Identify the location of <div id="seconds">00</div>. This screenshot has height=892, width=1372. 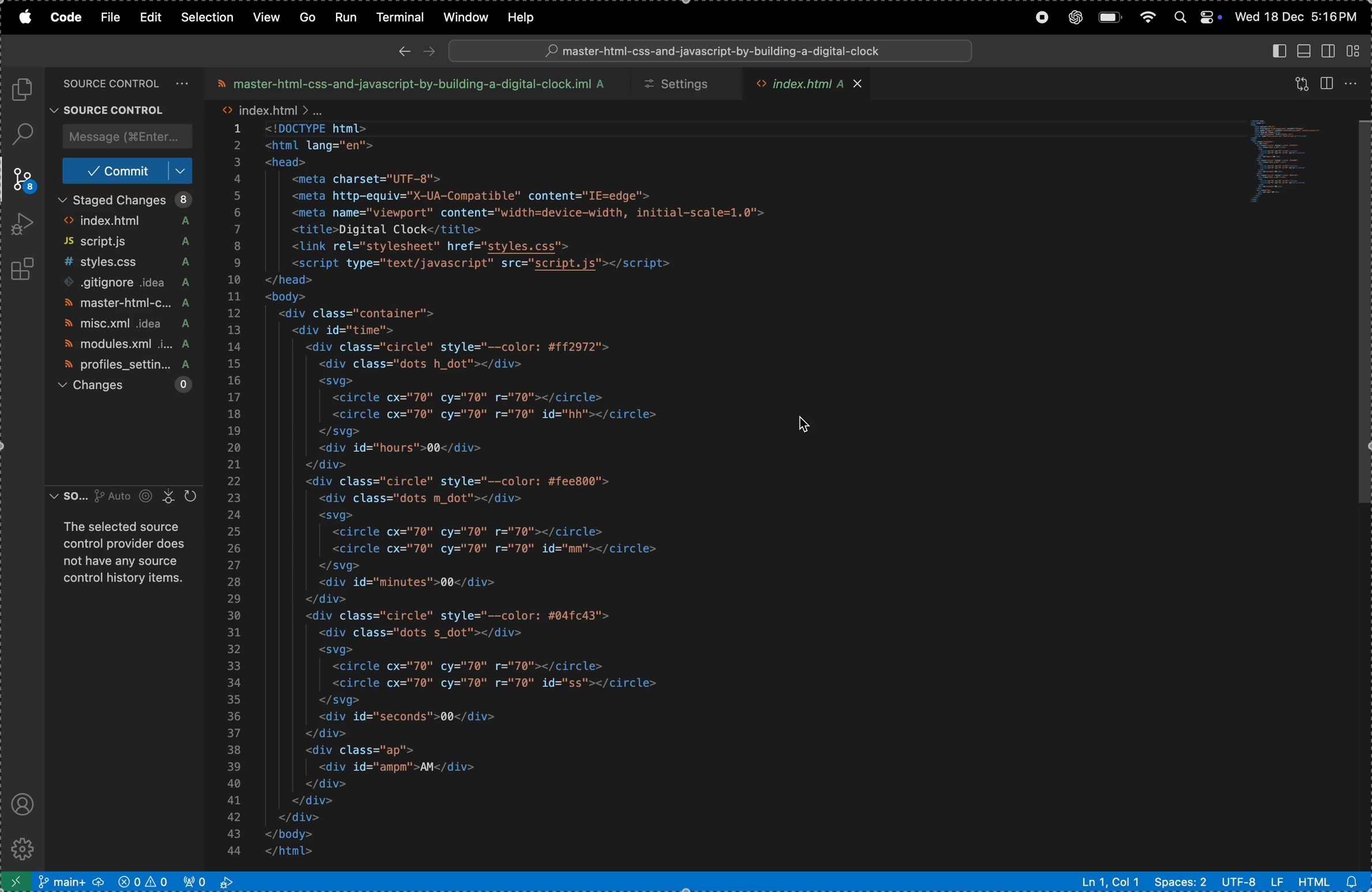
(412, 717).